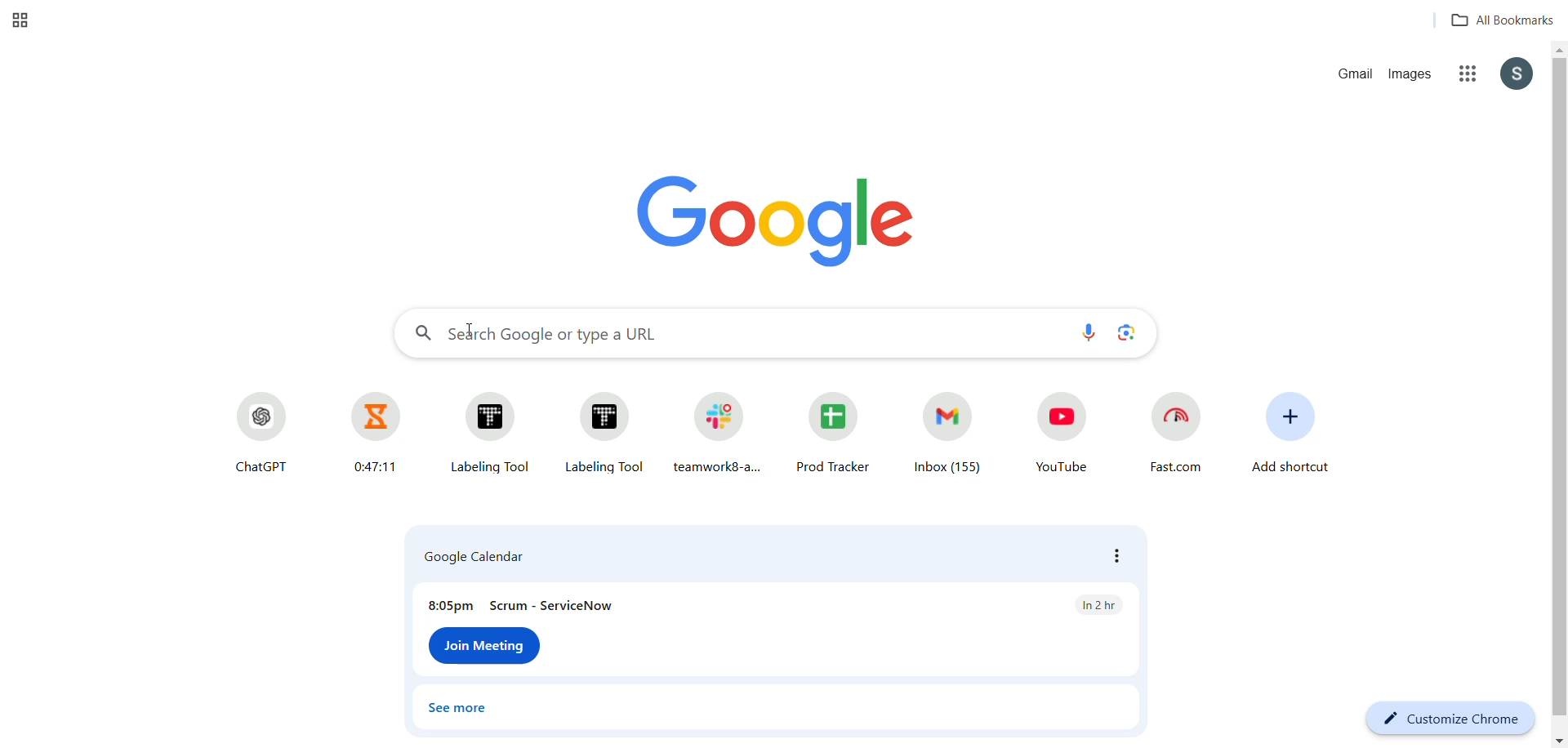  Describe the element at coordinates (776, 599) in the screenshot. I see `meeting info` at that location.